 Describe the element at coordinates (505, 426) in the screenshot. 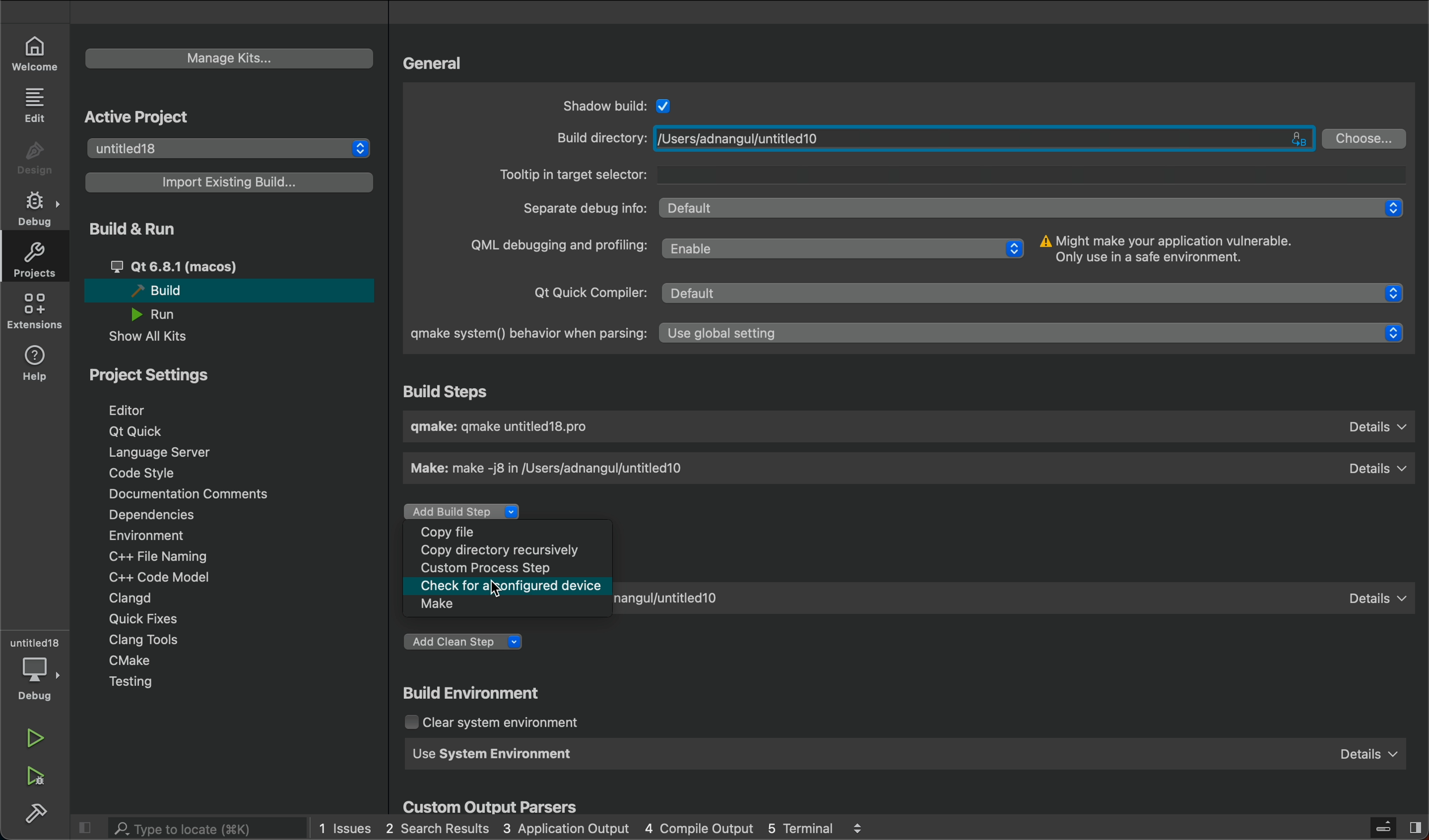

I see `gmake: gmake untitled18.pro` at that location.